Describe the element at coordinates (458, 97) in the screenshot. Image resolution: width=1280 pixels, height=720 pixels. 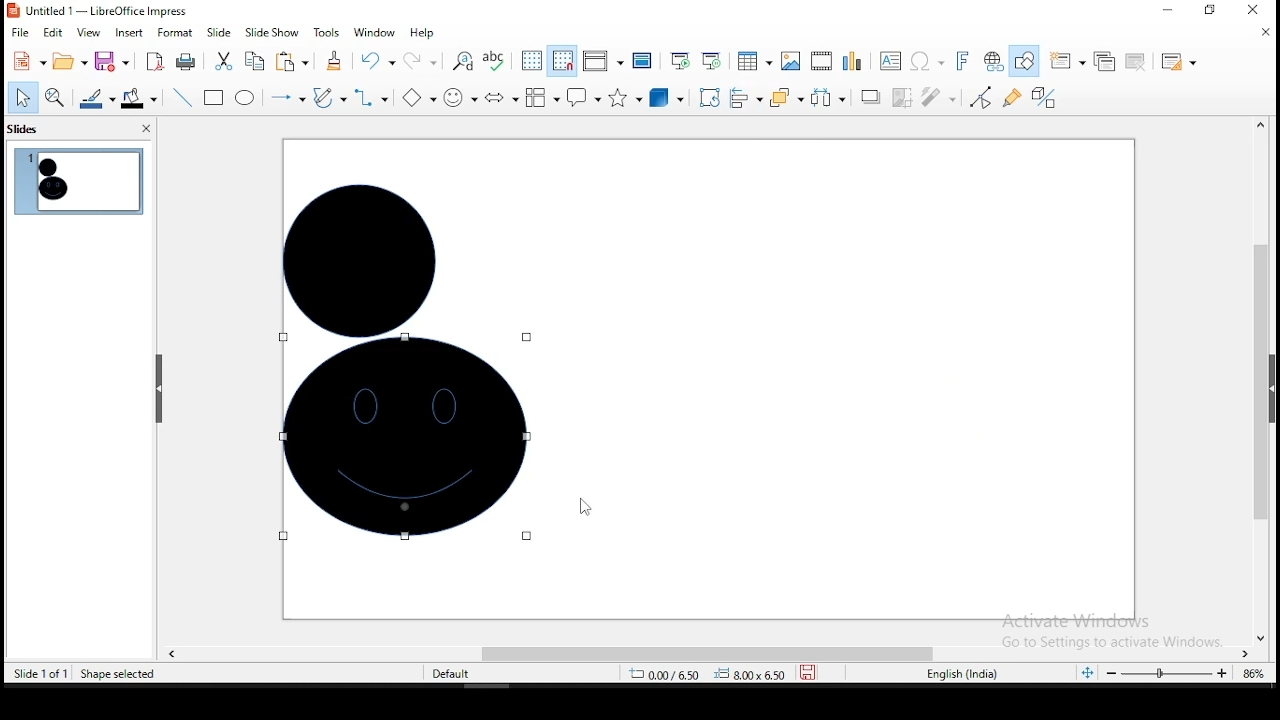
I see `symbol shapes` at that location.